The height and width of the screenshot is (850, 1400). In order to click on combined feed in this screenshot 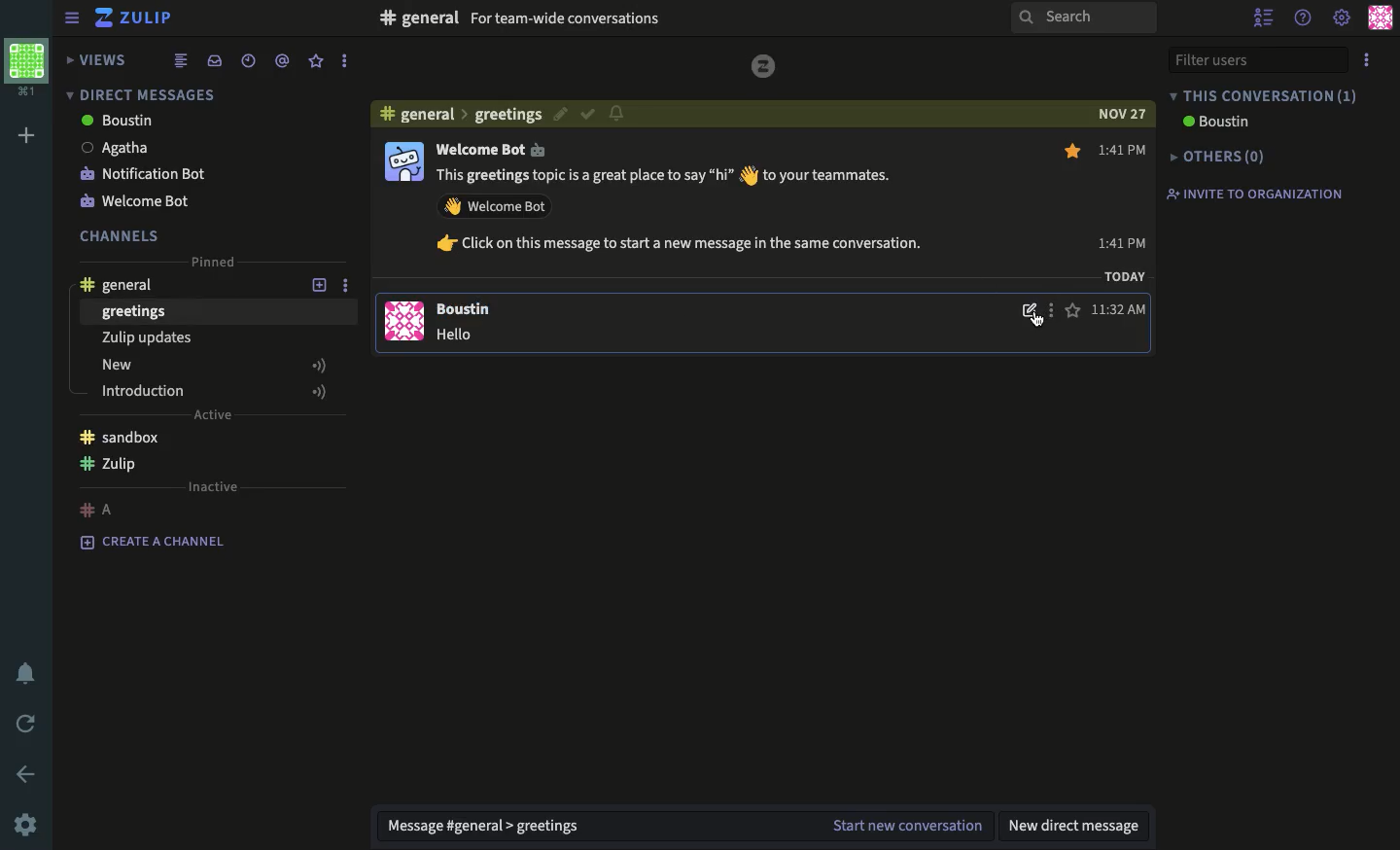, I will do `click(181, 61)`.